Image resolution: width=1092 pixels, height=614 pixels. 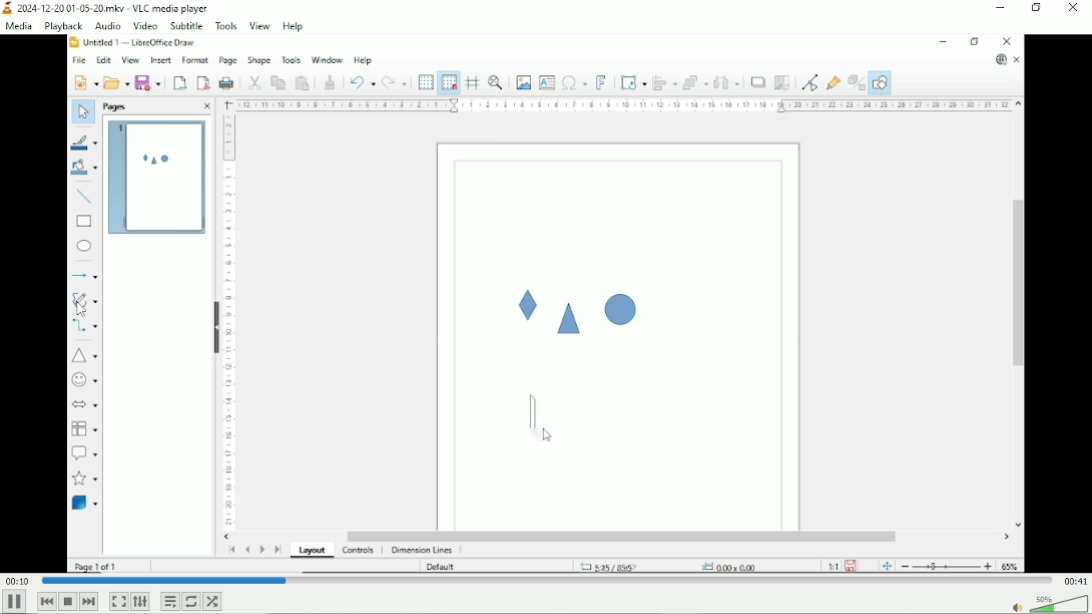 I want to click on 2024-12-20 01-05-20.mkv - VLC media player, so click(x=107, y=8).